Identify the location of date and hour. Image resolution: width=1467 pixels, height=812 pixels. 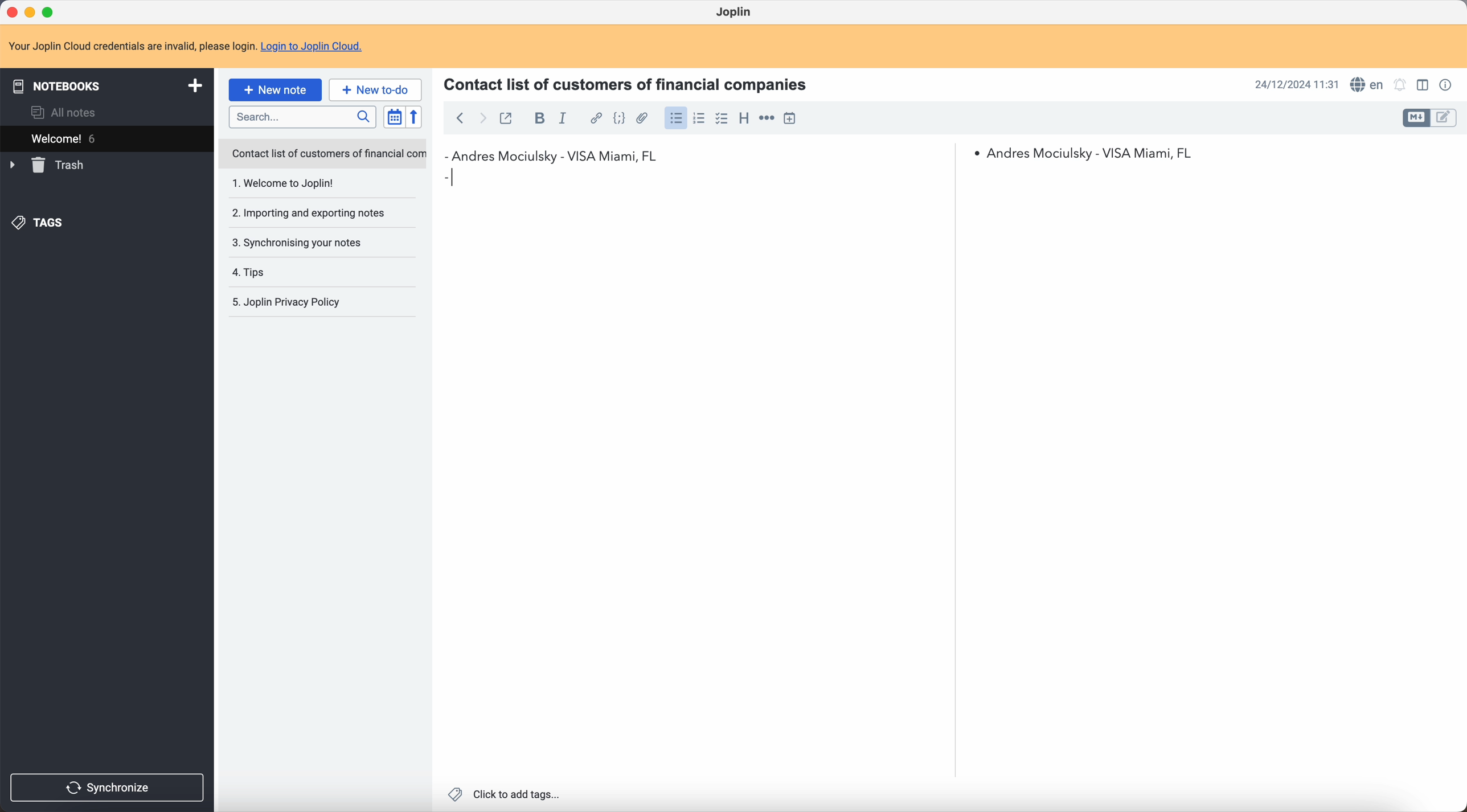
(1296, 84).